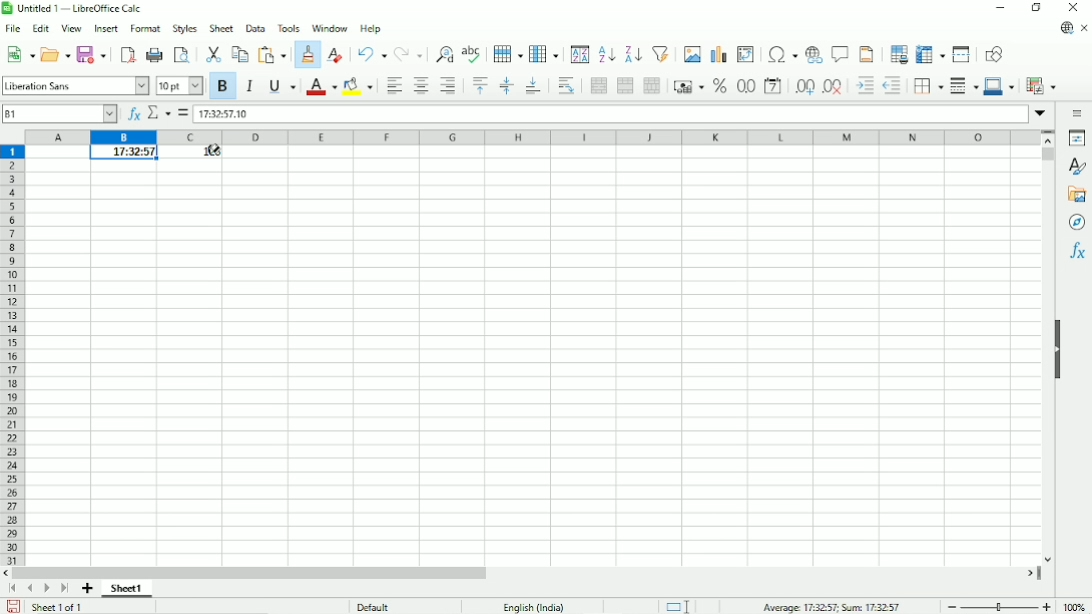 Image resolution: width=1092 pixels, height=614 pixels. What do you see at coordinates (178, 86) in the screenshot?
I see `Font size` at bounding box center [178, 86].